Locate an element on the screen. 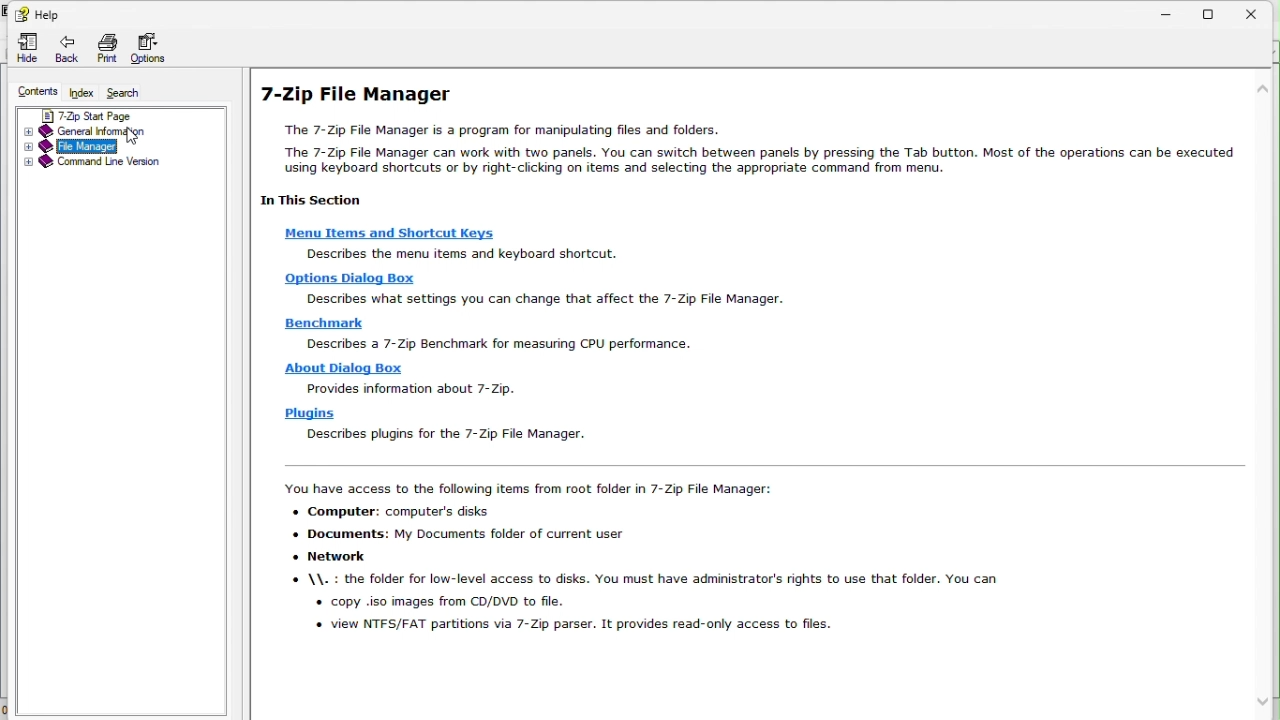 The height and width of the screenshot is (720, 1280). Contents  is located at coordinates (33, 91).